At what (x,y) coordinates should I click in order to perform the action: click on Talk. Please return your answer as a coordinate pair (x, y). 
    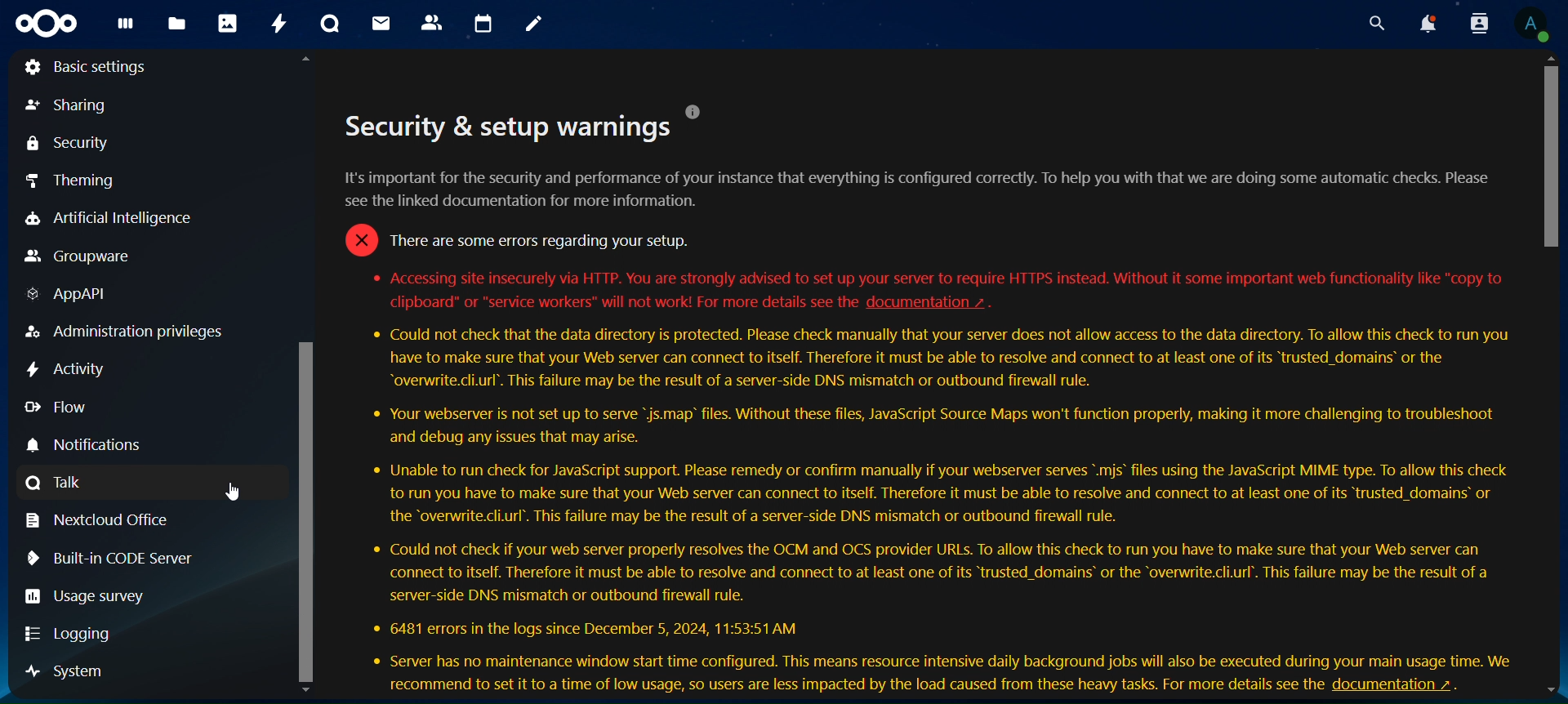
    Looking at the image, I should click on (63, 485).